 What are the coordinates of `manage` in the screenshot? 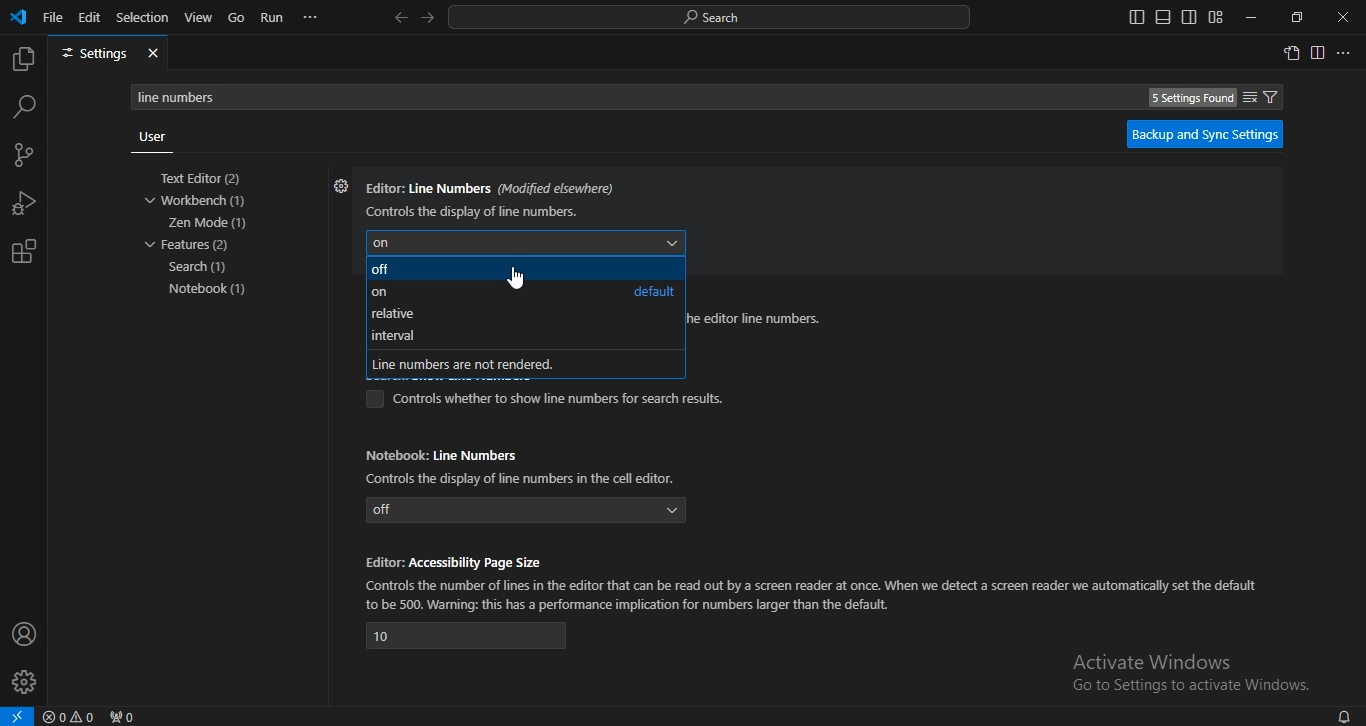 It's located at (26, 684).